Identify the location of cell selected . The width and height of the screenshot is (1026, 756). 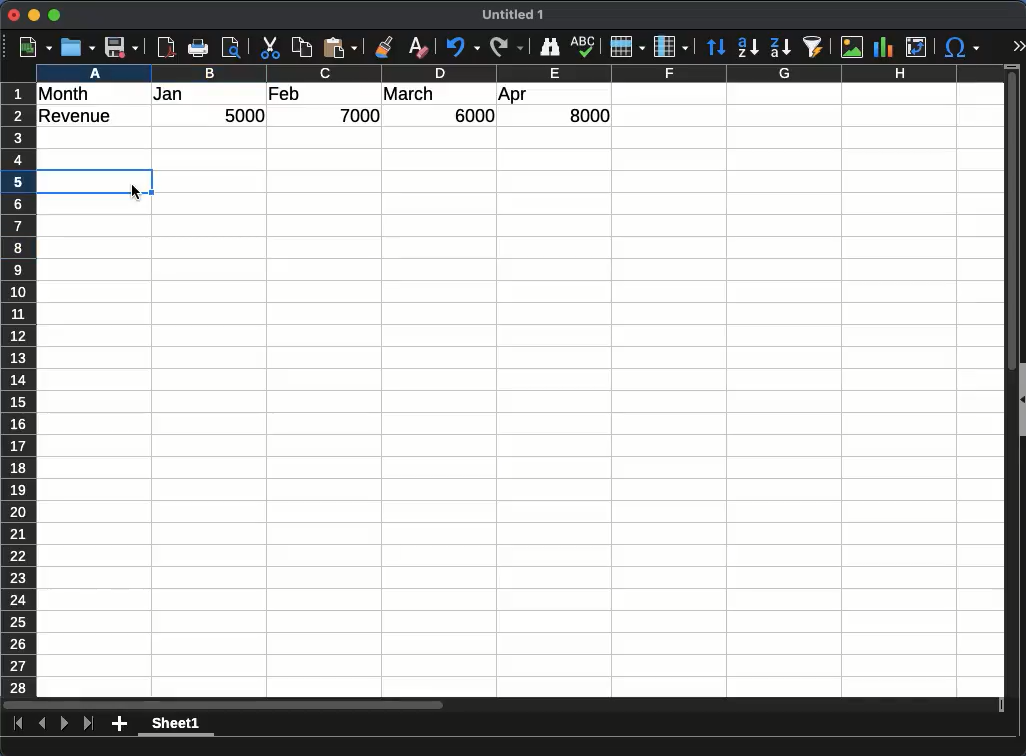
(95, 181).